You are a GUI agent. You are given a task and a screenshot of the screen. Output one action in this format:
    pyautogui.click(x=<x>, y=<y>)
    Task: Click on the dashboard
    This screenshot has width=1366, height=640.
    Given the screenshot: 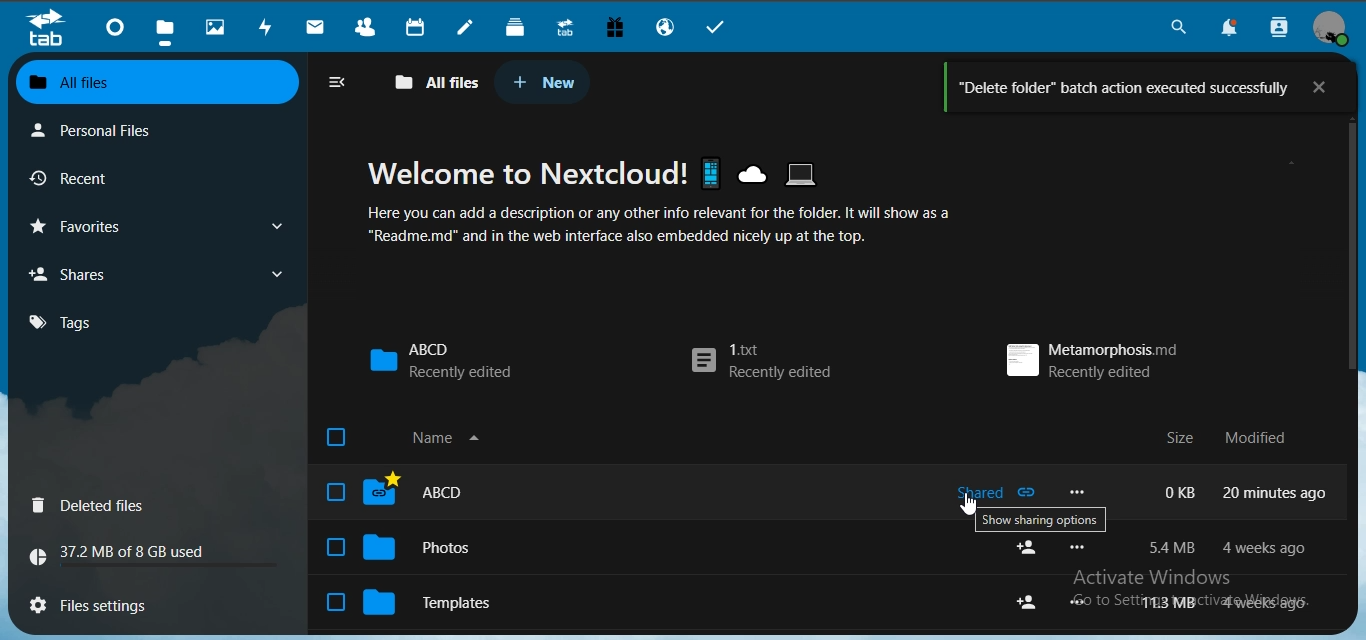 What is the action you would take?
    pyautogui.click(x=118, y=27)
    